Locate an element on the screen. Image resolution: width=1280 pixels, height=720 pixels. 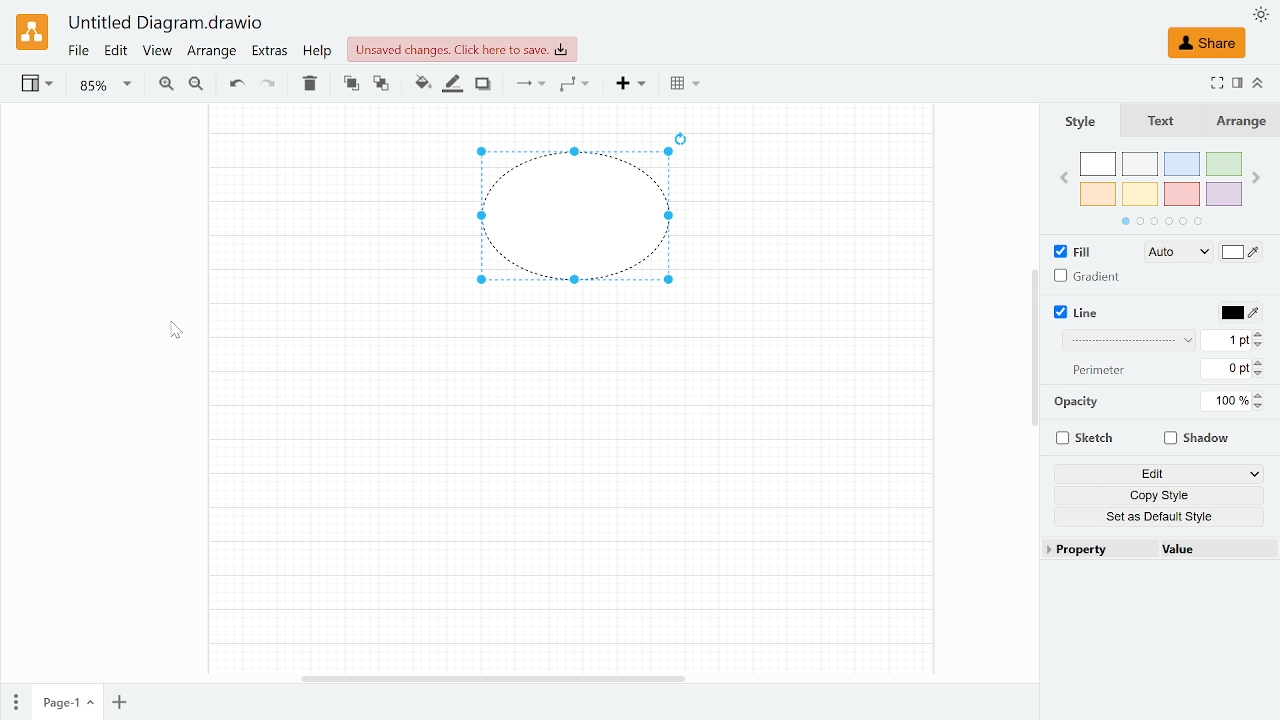
View is located at coordinates (157, 52).